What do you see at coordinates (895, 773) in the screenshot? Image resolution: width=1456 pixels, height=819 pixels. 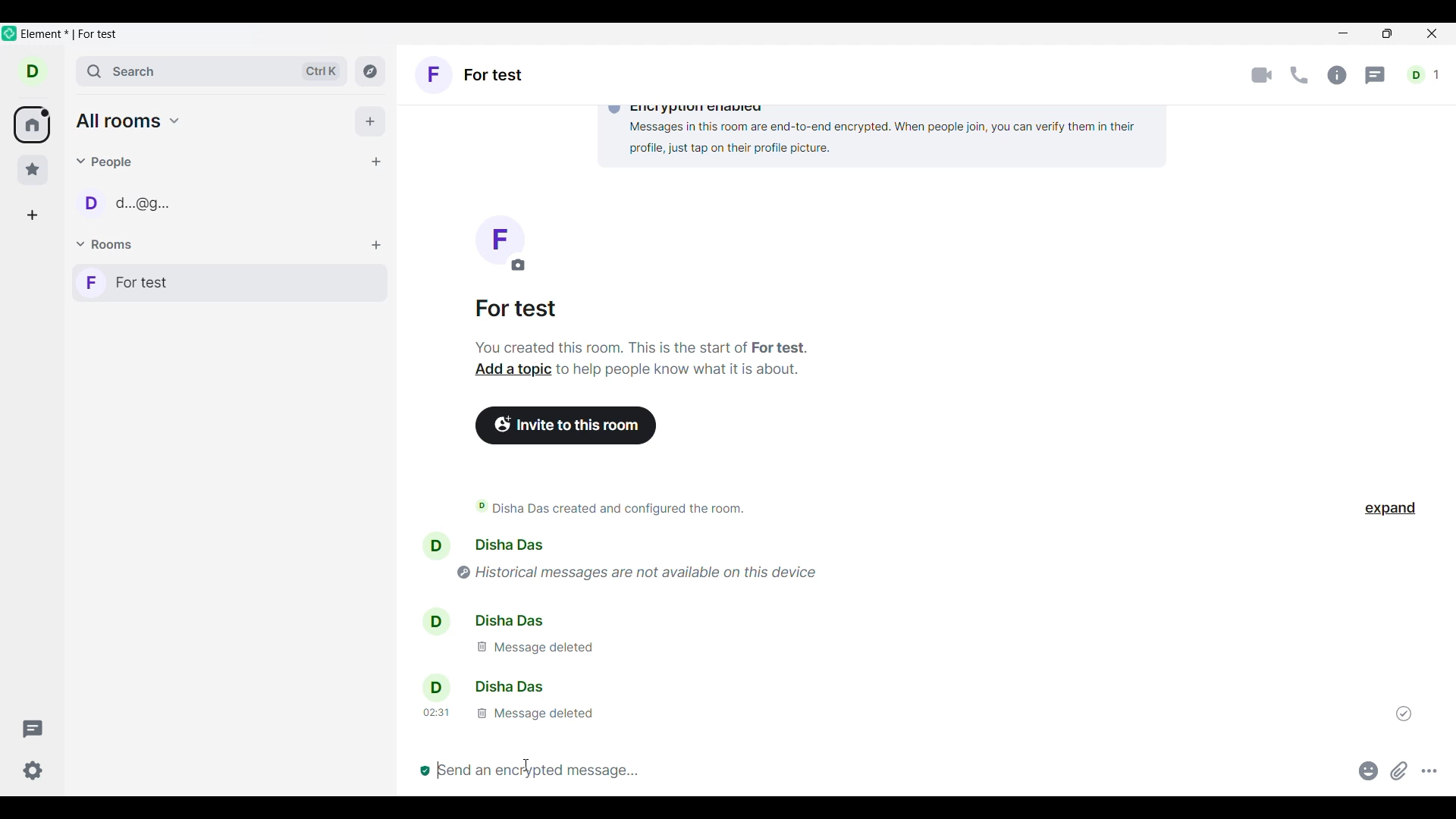 I see `Message box` at bounding box center [895, 773].